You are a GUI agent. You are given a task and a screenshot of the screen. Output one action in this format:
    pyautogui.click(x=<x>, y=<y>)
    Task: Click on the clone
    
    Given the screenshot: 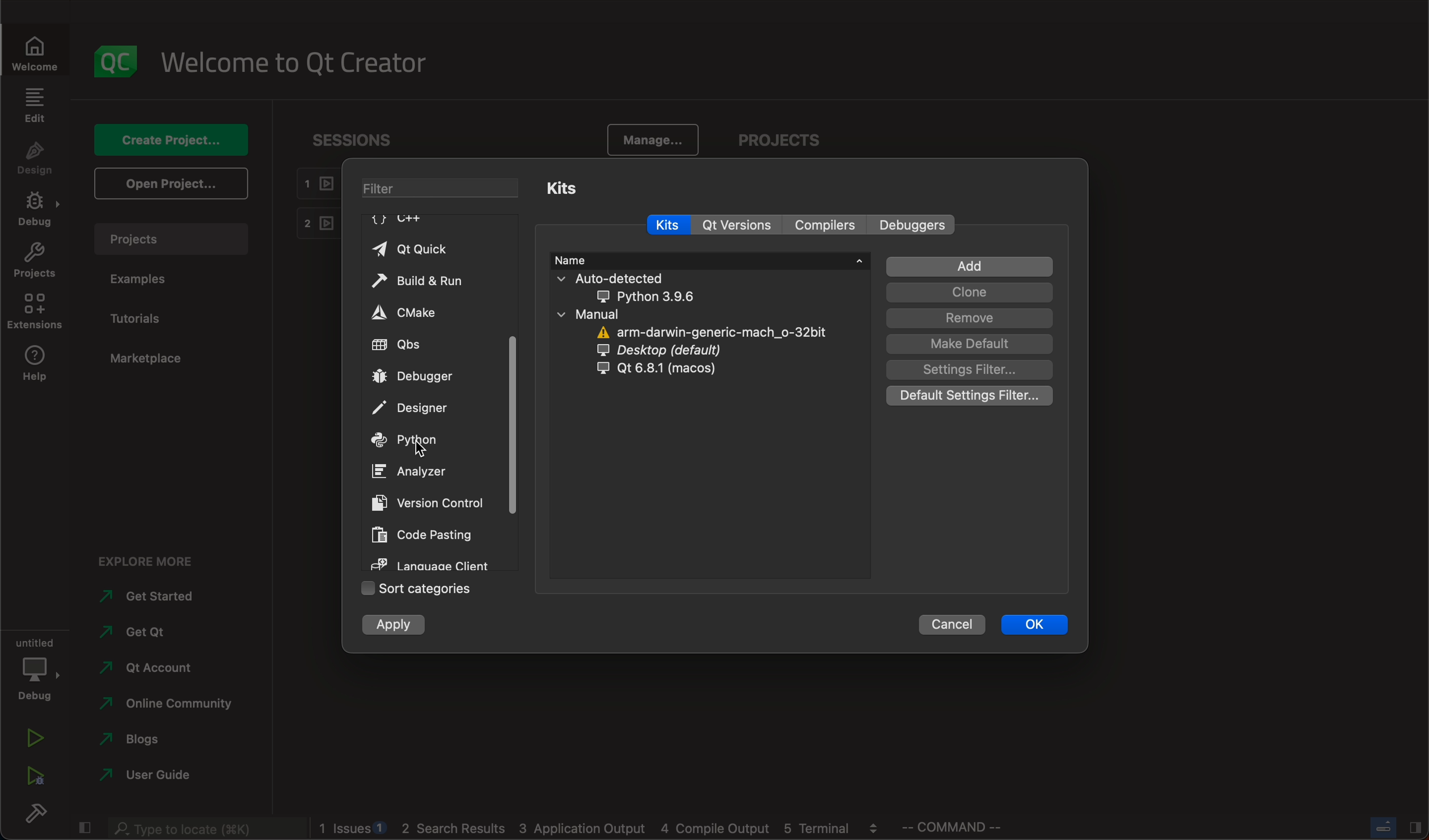 What is the action you would take?
    pyautogui.click(x=969, y=293)
    